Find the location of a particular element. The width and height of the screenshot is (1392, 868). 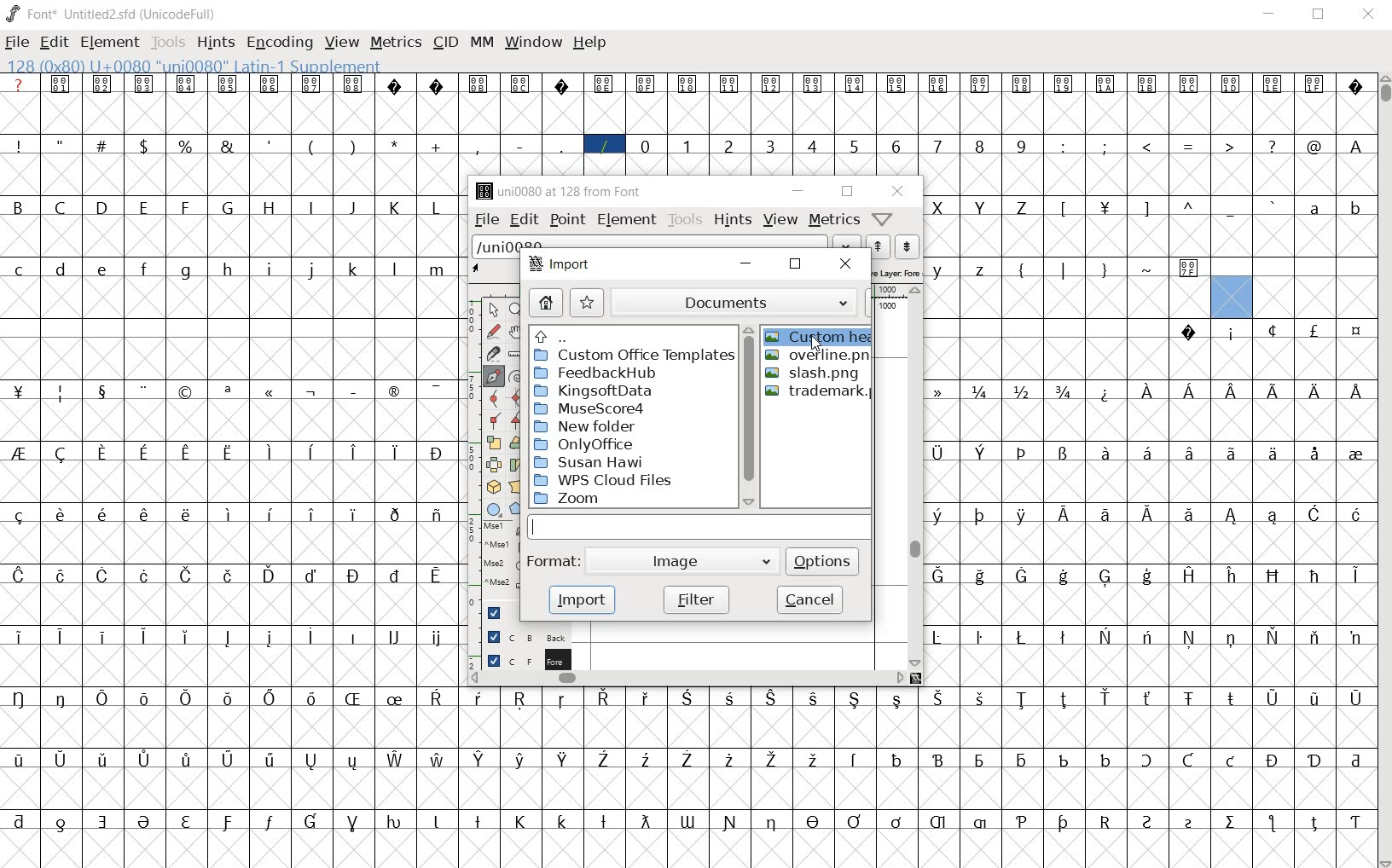

glyph is located at coordinates (854, 821).